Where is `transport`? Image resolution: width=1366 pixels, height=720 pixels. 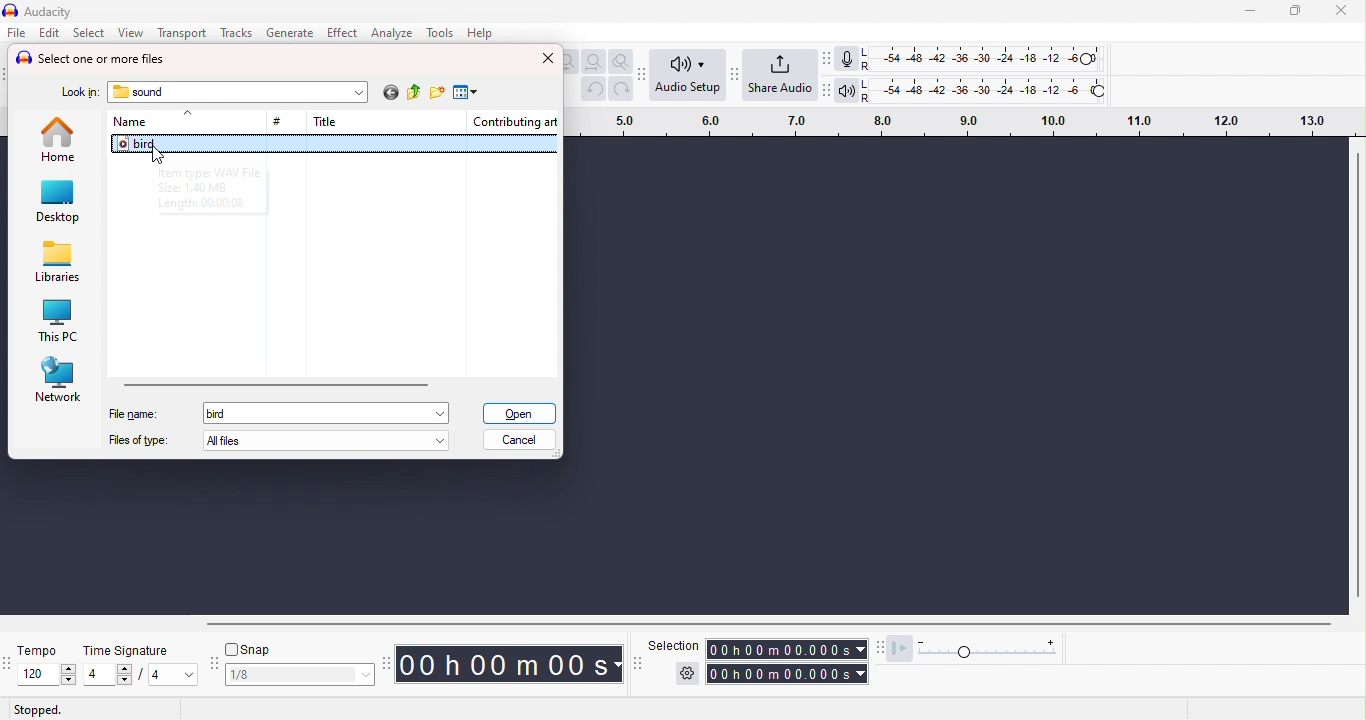 transport is located at coordinates (182, 33).